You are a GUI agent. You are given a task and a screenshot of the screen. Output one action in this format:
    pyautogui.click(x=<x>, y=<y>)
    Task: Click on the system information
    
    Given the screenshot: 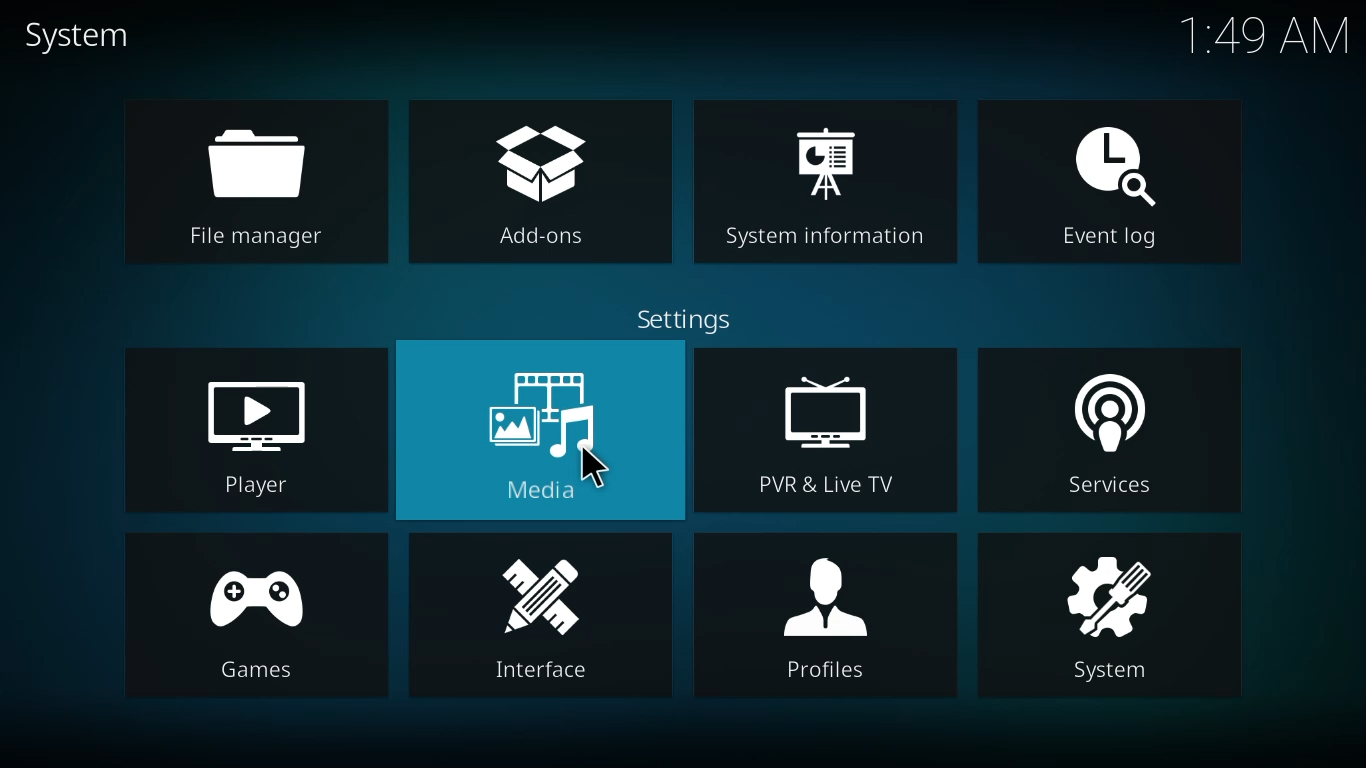 What is the action you would take?
    pyautogui.click(x=830, y=181)
    